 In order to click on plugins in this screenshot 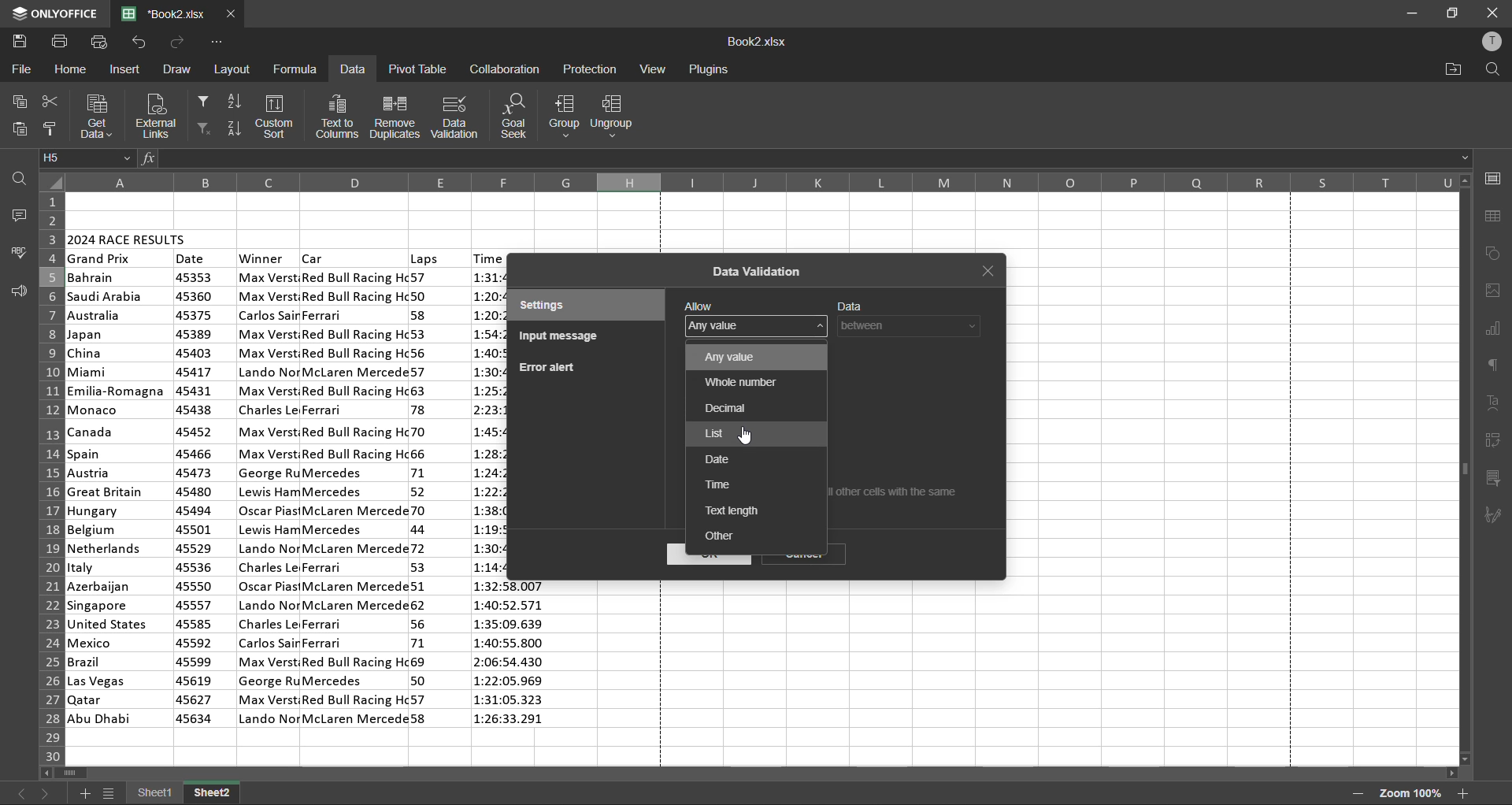, I will do `click(708, 70)`.